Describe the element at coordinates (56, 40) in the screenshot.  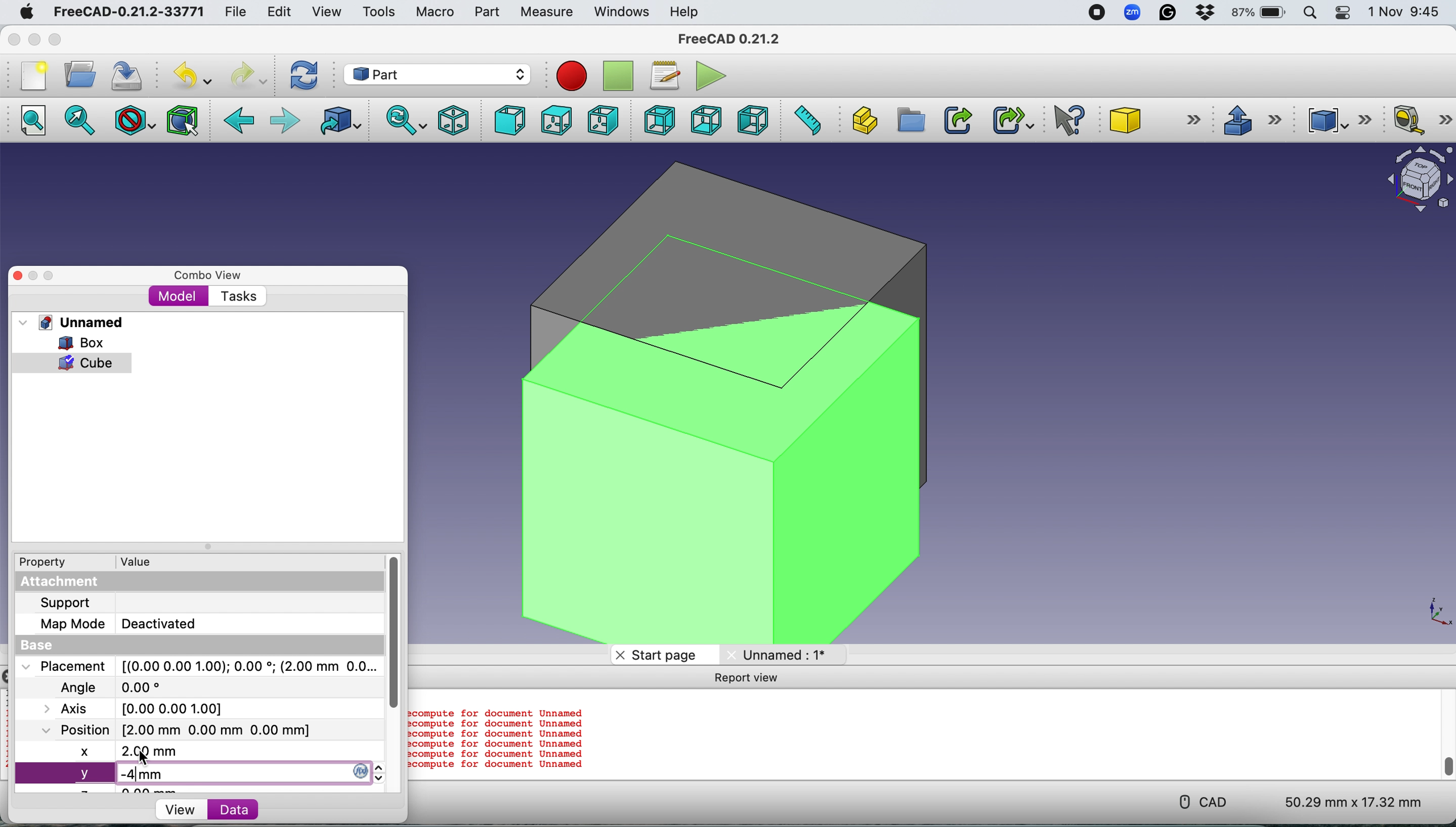
I see `Maximise` at that location.